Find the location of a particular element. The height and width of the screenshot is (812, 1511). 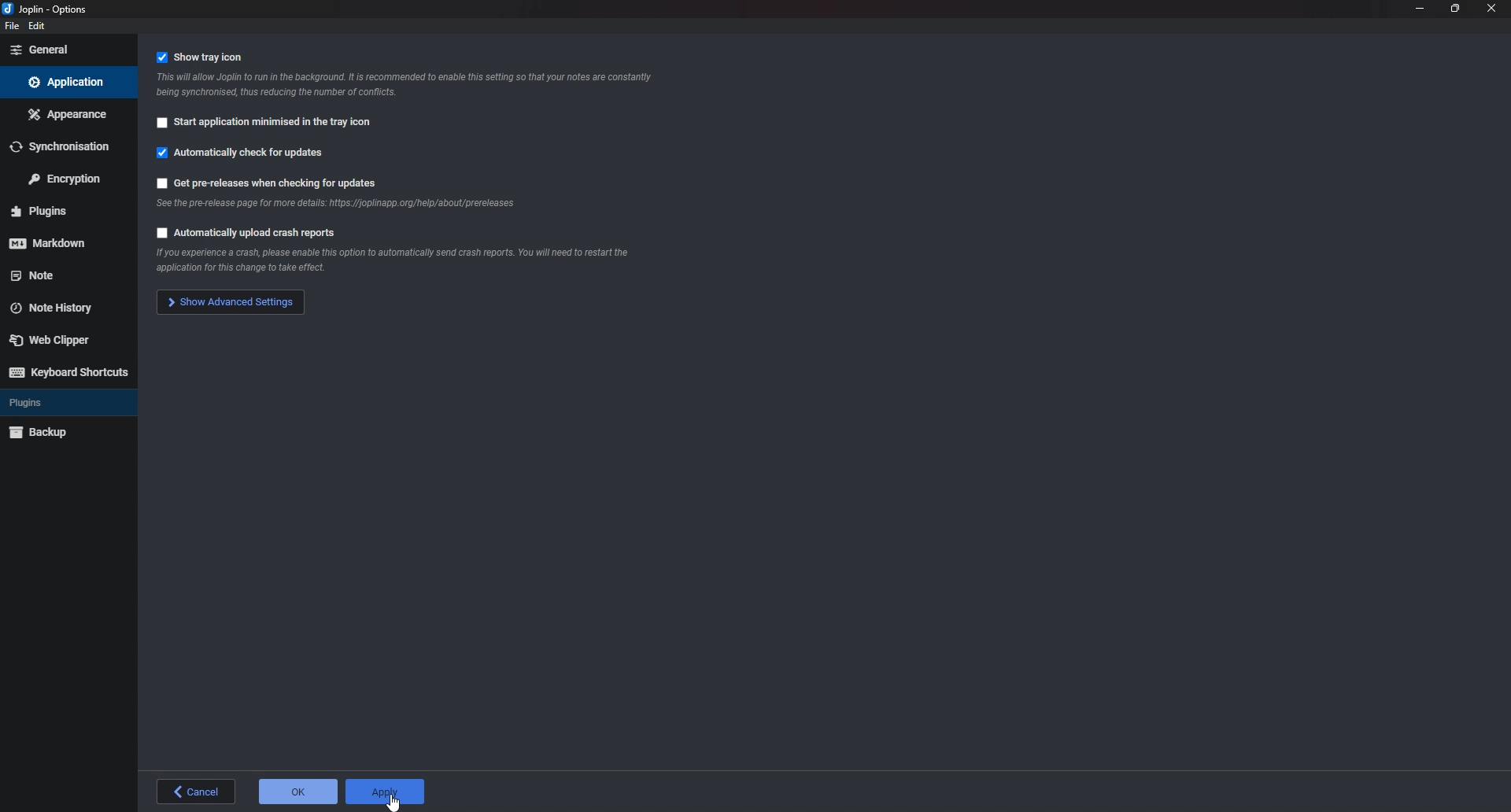

Plugins is located at coordinates (52, 404).